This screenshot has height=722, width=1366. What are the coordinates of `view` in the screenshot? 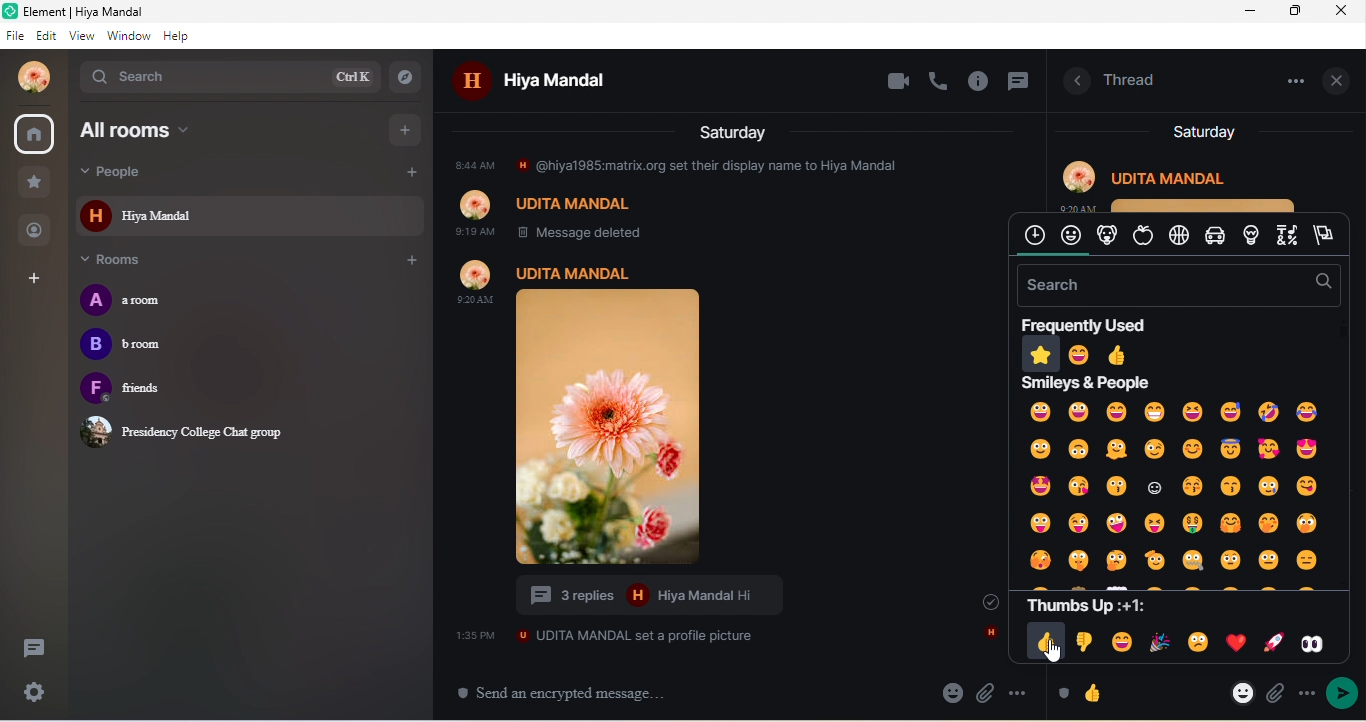 It's located at (85, 36).